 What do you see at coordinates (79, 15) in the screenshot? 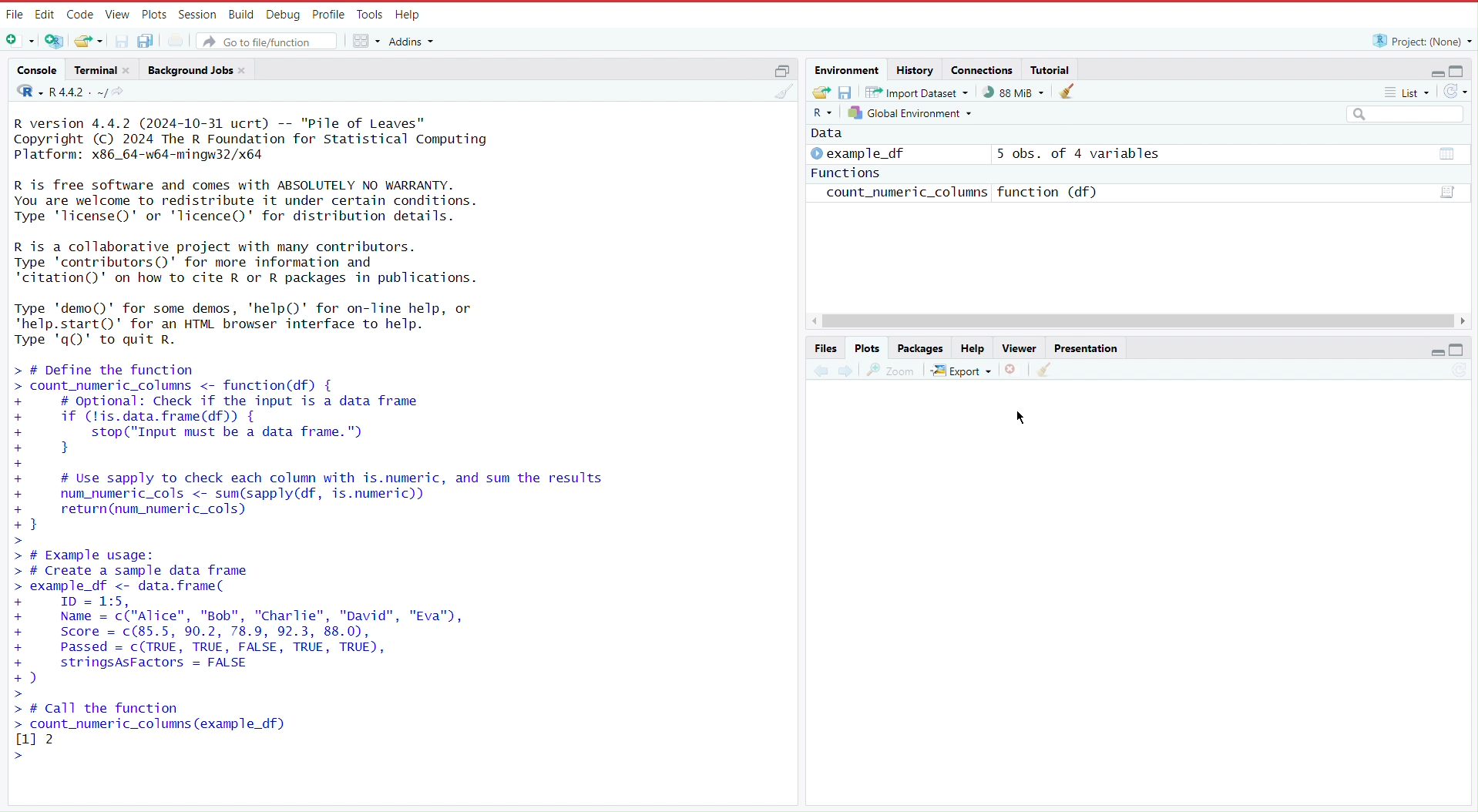
I see `Code` at bounding box center [79, 15].